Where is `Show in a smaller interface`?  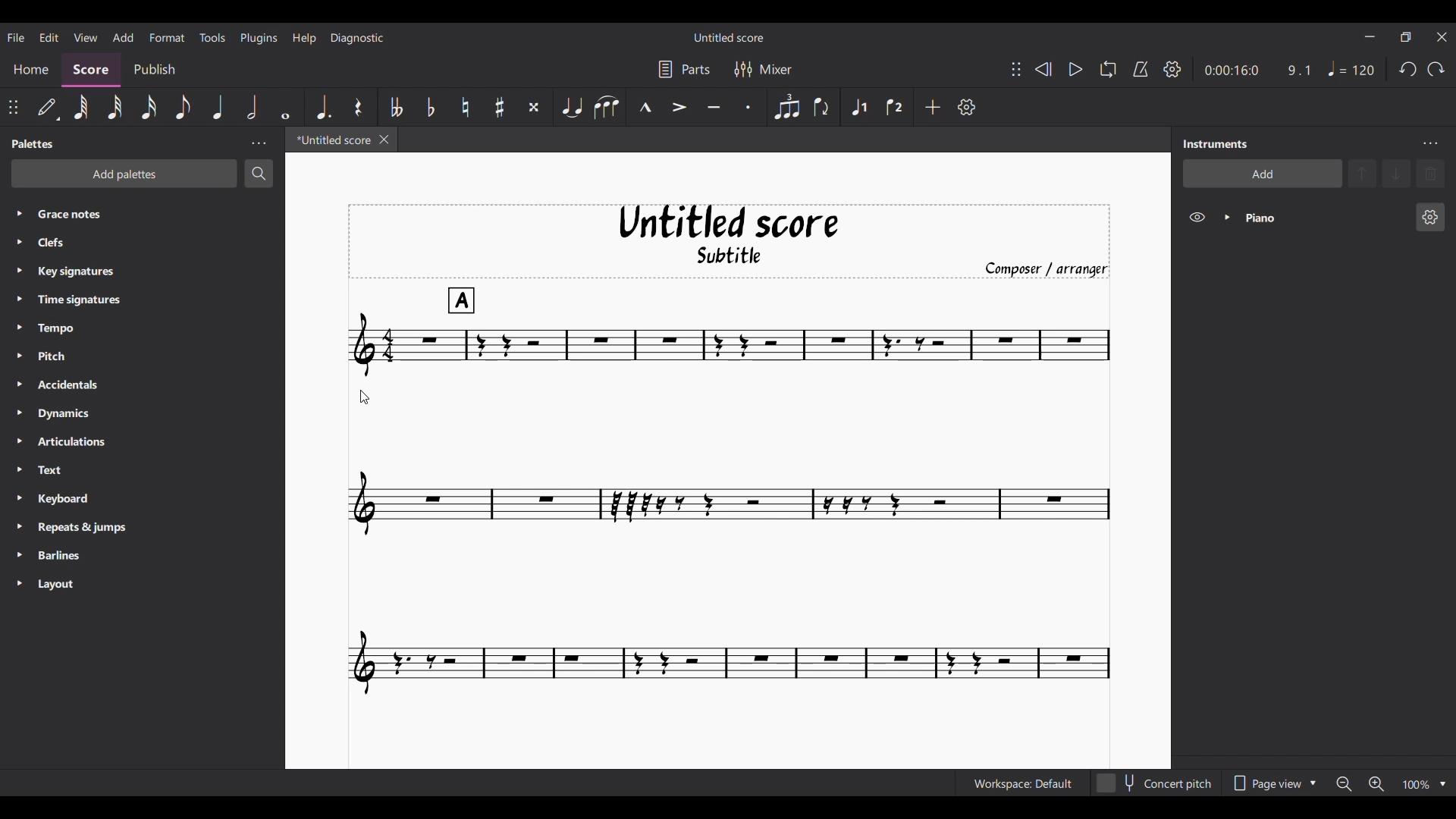 Show in a smaller interface is located at coordinates (1405, 37).